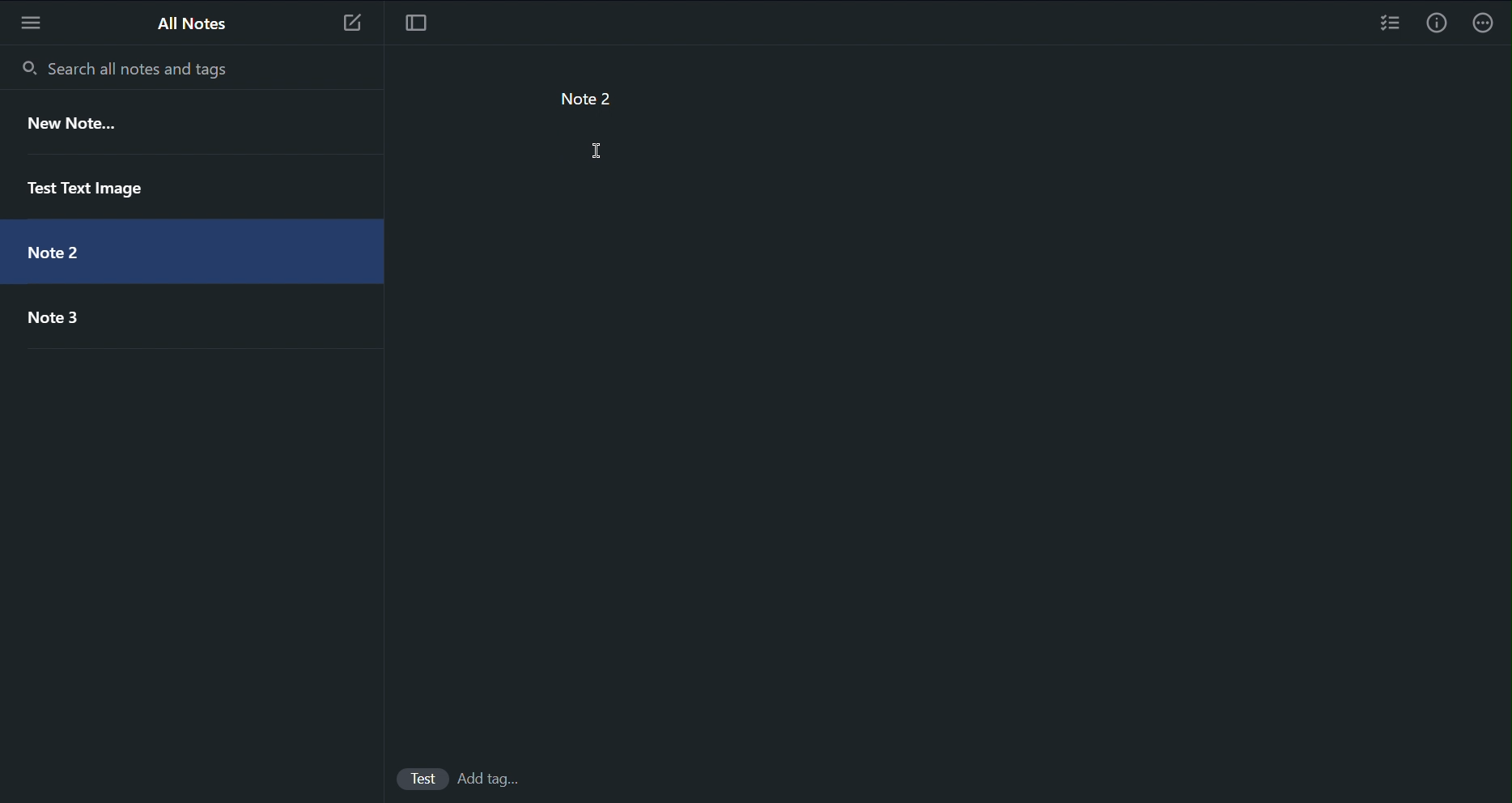  What do you see at coordinates (350, 19) in the screenshot?
I see `New Note` at bounding box center [350, 19].